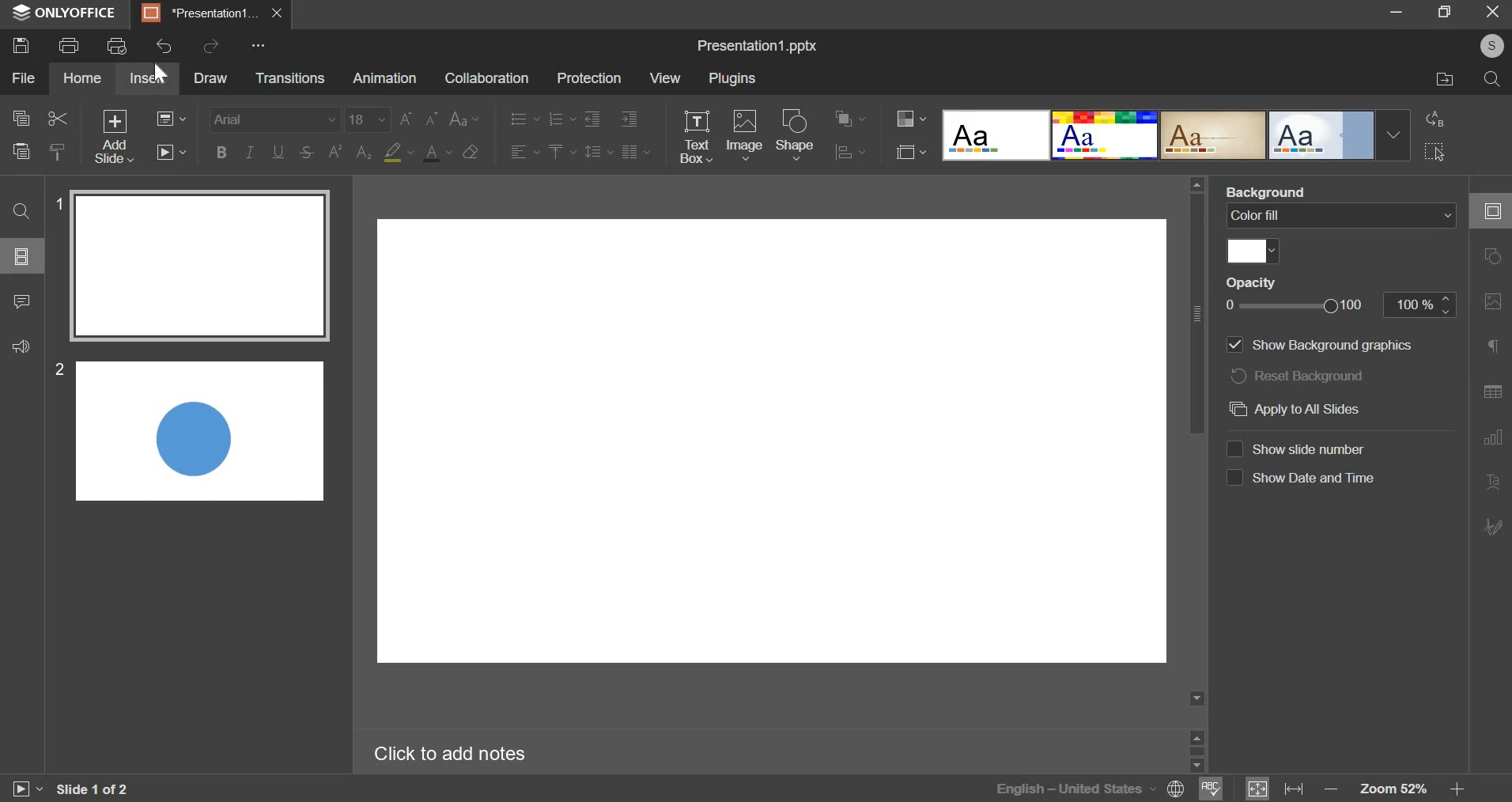  I want to click on collaboration, so click(487, 78).